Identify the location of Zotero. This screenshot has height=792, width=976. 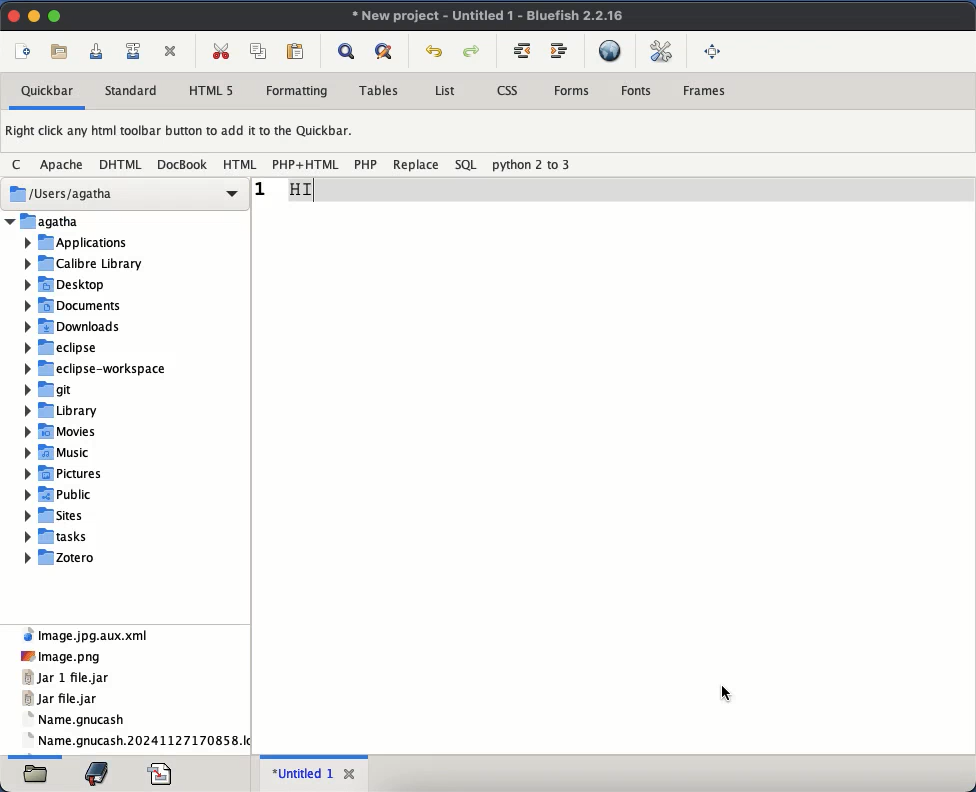
(60, 559).